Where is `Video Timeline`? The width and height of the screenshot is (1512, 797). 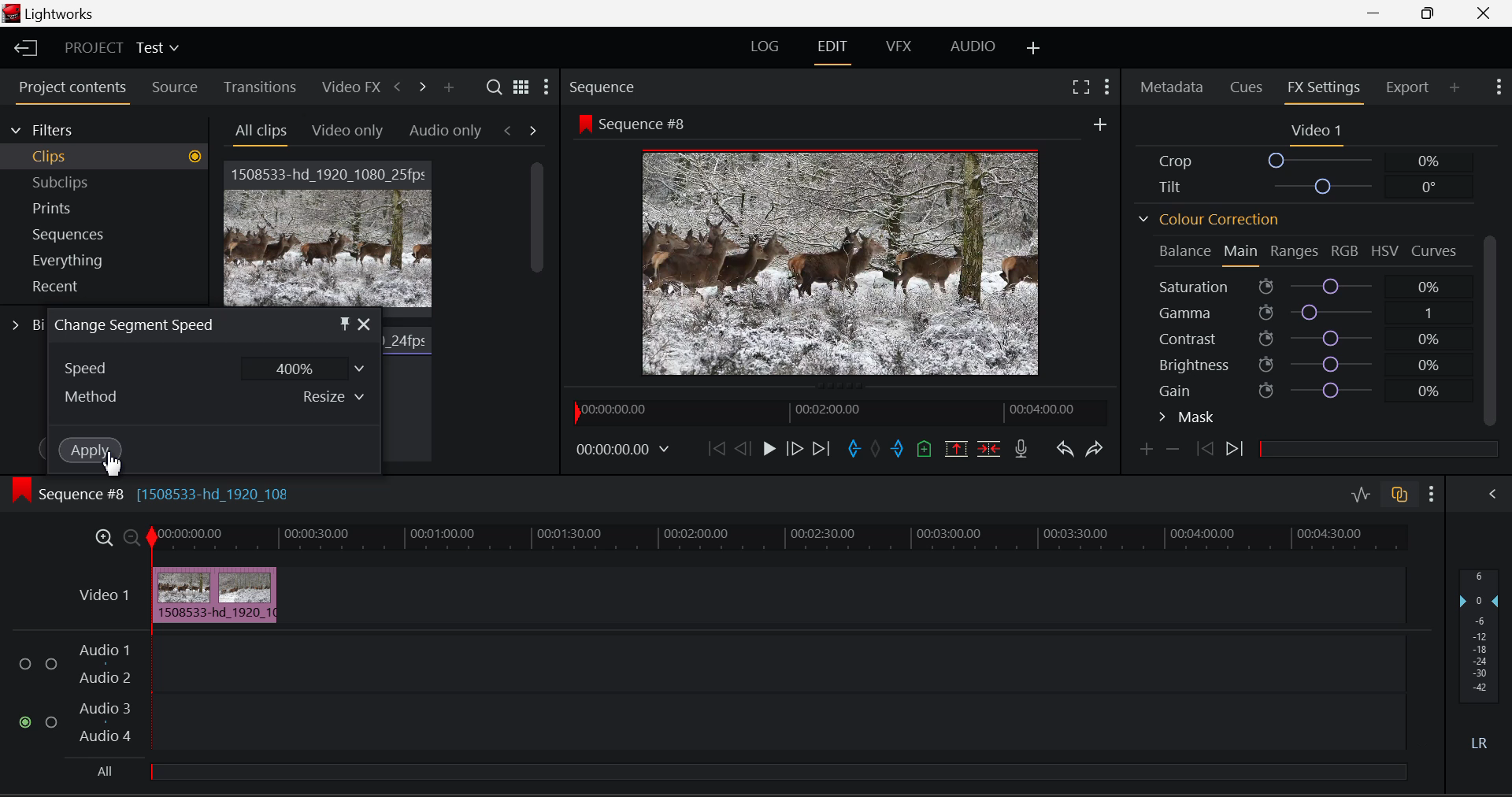 Video Timeline is located at coordinates (776, 539).